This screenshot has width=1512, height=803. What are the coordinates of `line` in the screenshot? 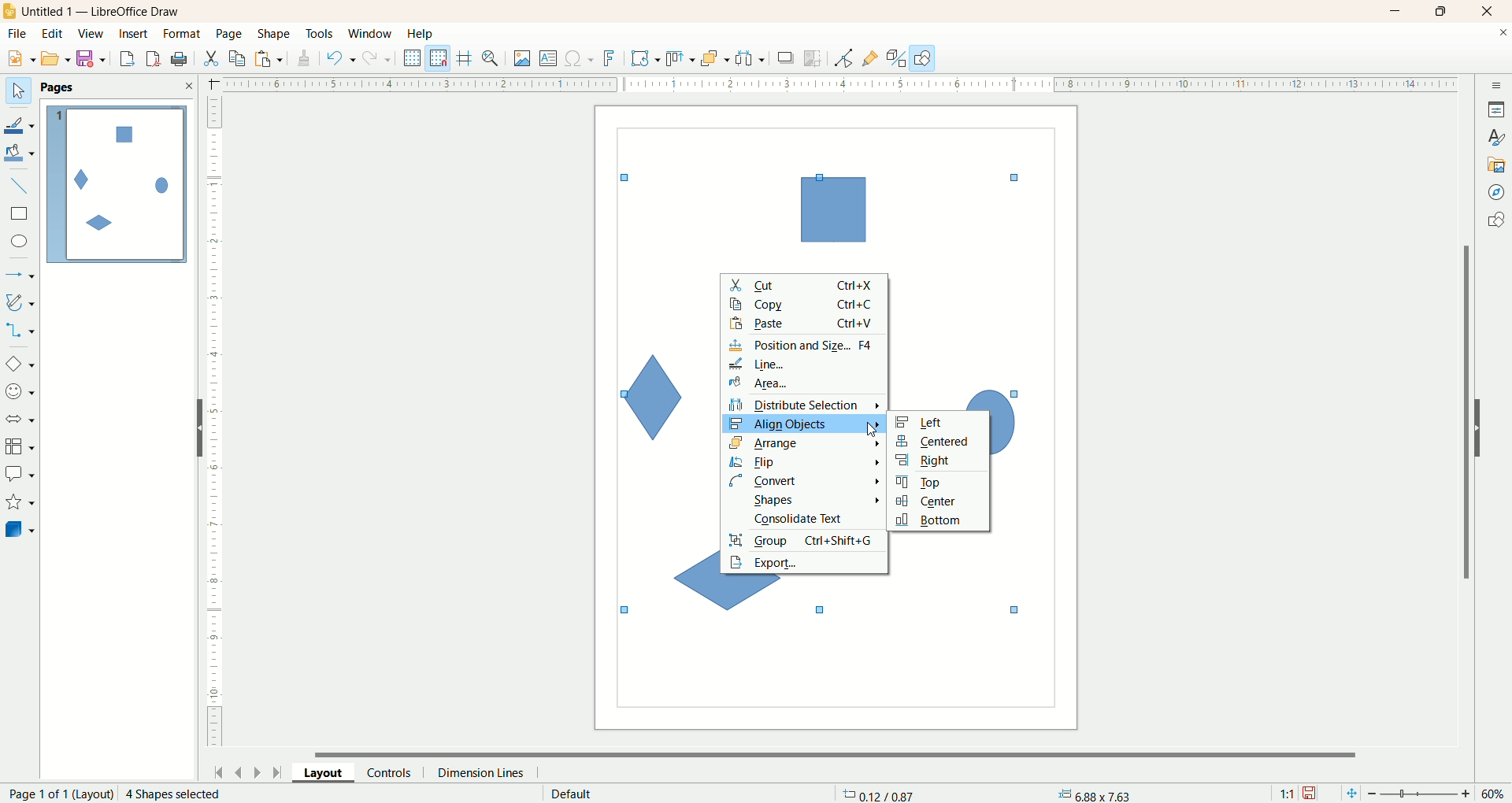 It's located at (804, 364).